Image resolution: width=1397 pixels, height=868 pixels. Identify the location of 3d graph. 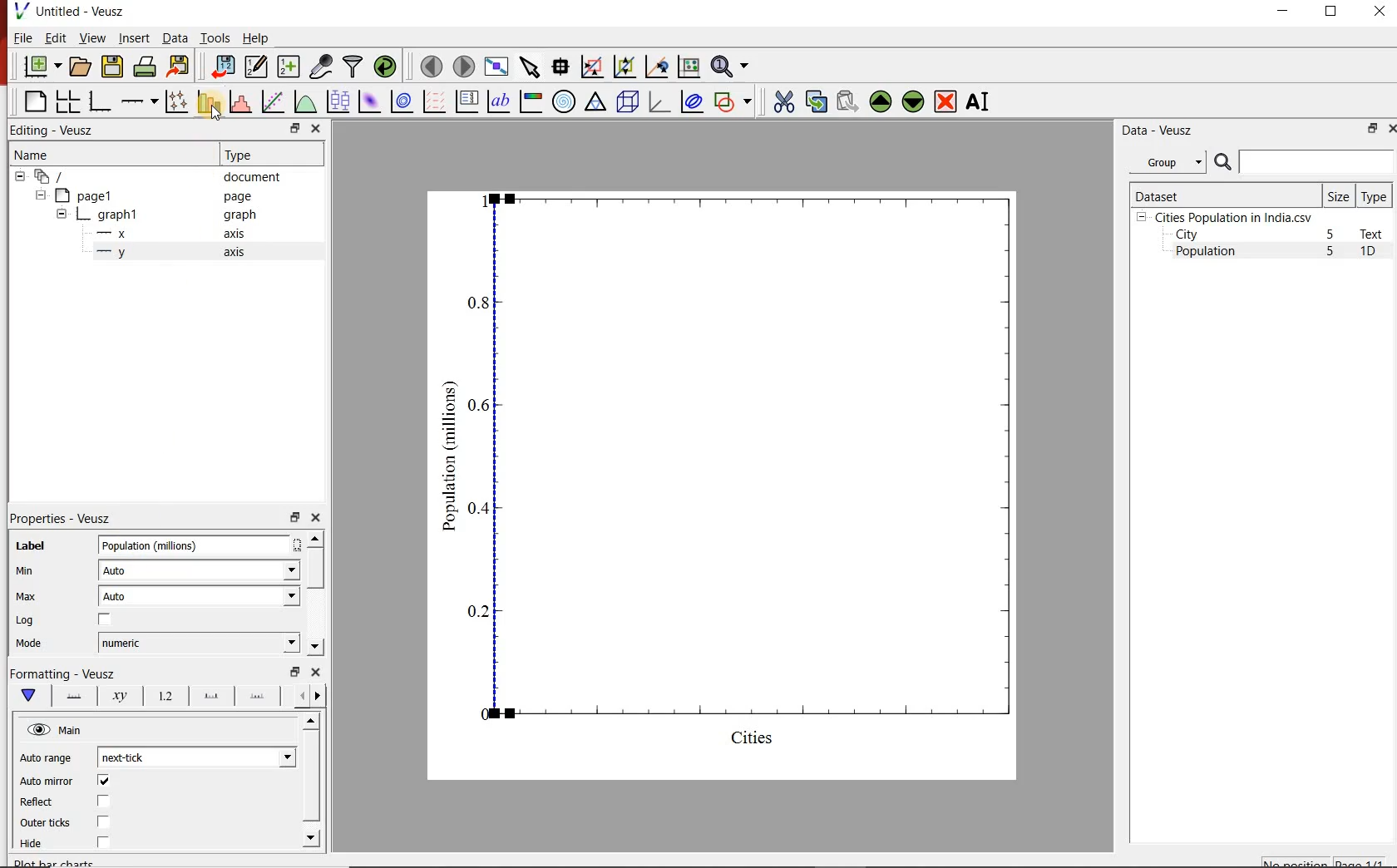
(658, 101).